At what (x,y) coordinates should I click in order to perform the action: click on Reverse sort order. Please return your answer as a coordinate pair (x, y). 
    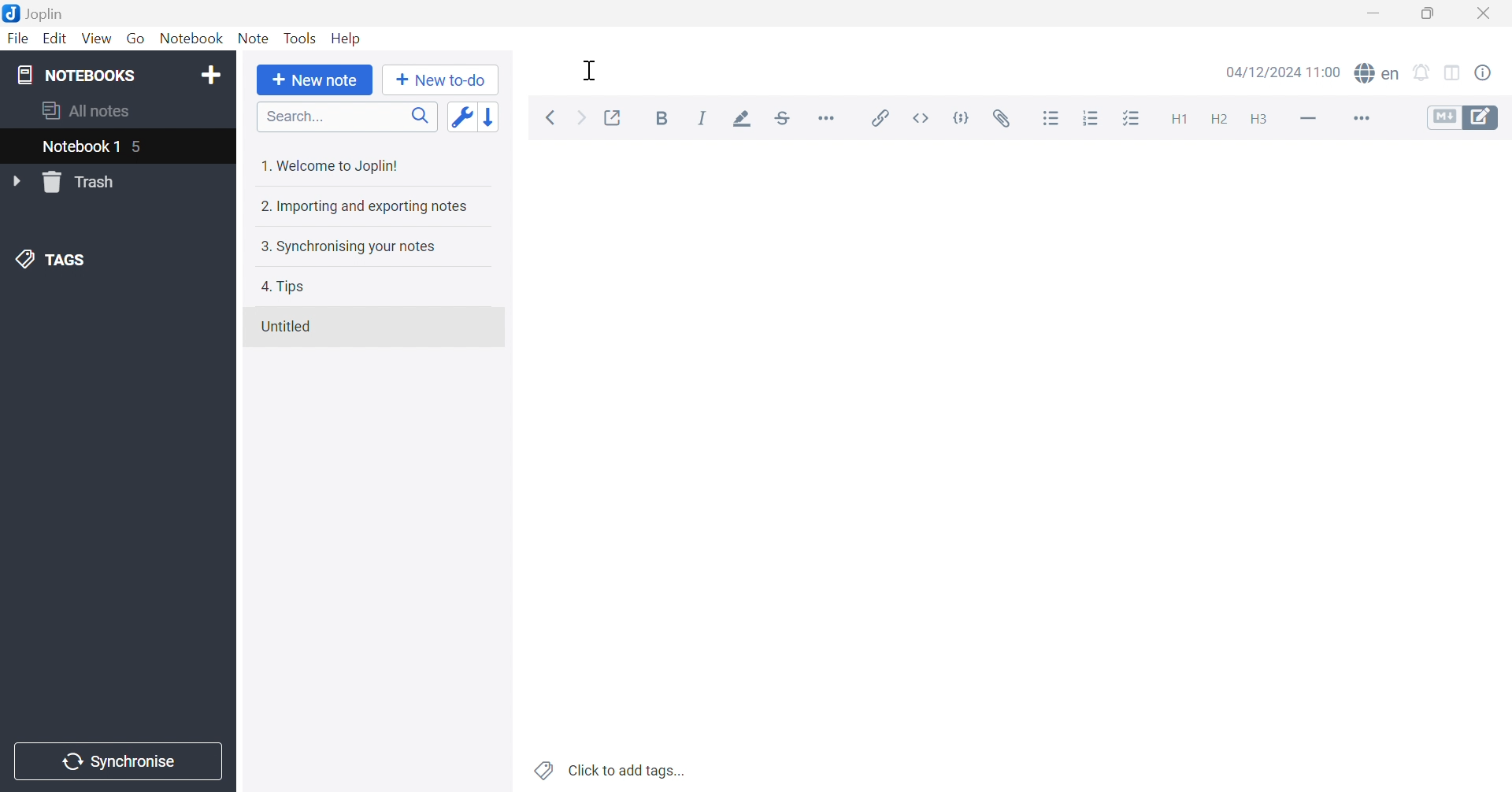
    Looking at the image, I should click on (497, 117).